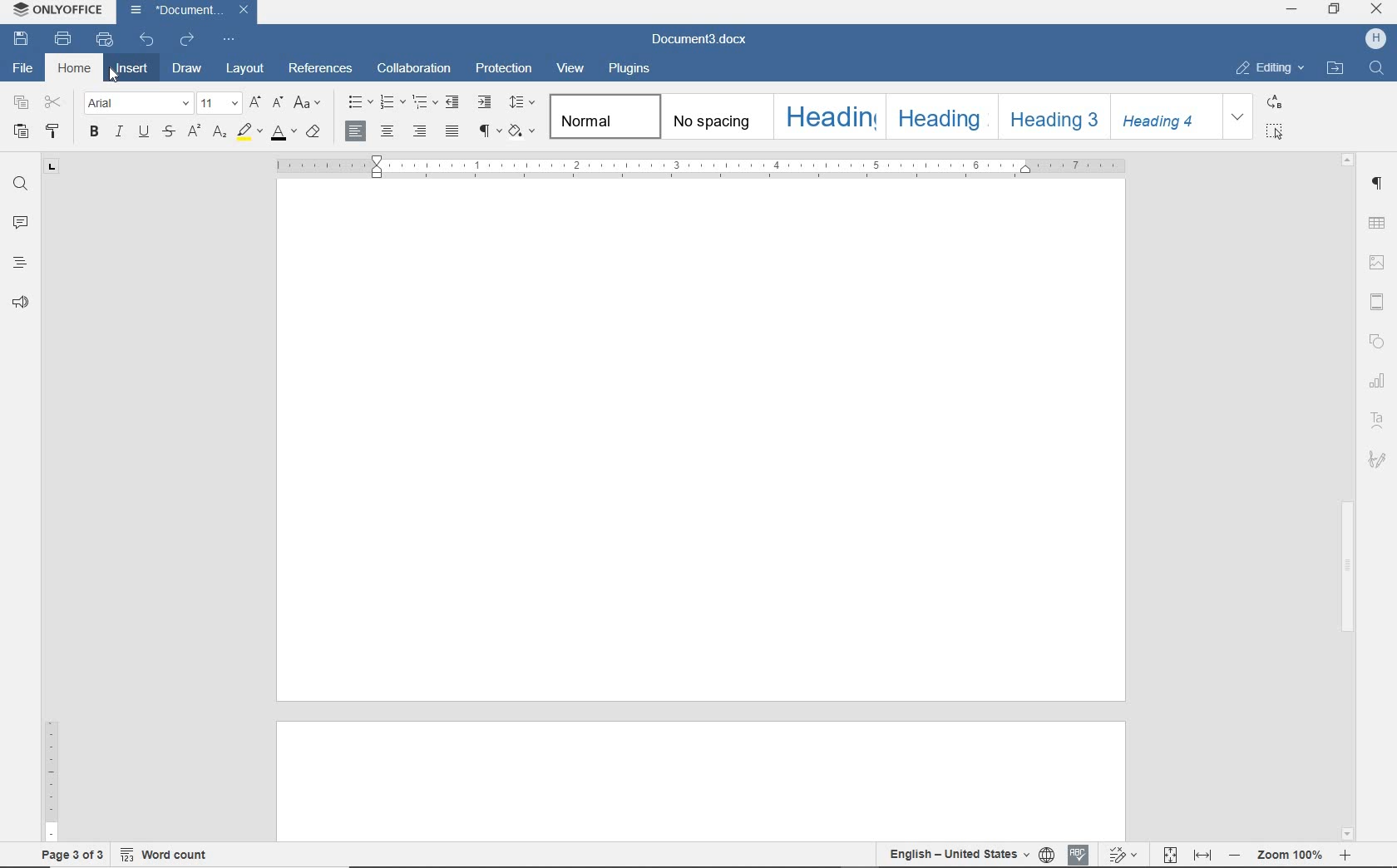  I want to click on Track changes, so click(1120, 850).